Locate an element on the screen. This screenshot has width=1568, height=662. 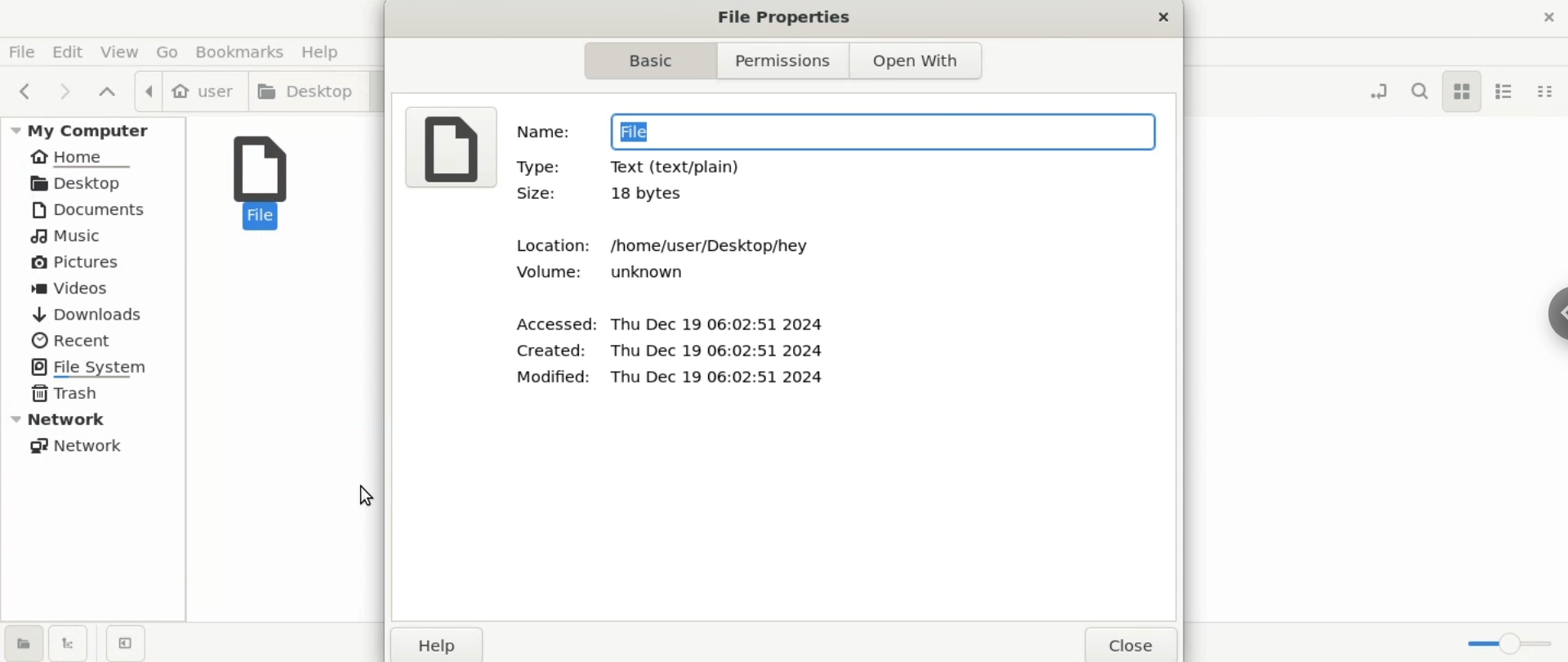
help is located at coordinates (434, 646).